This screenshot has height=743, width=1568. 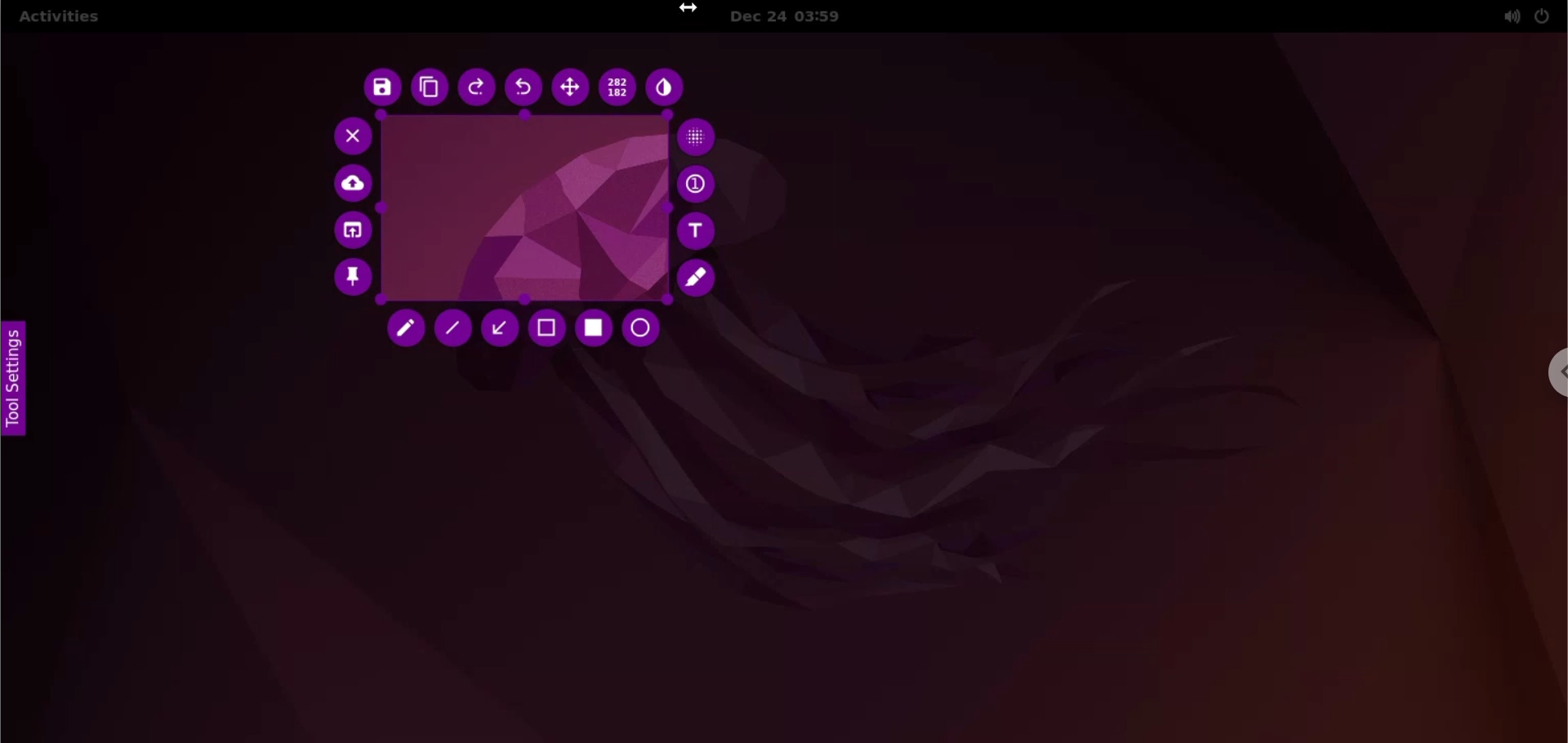 I want to click on cancel capture, so click(x=346, y=137).